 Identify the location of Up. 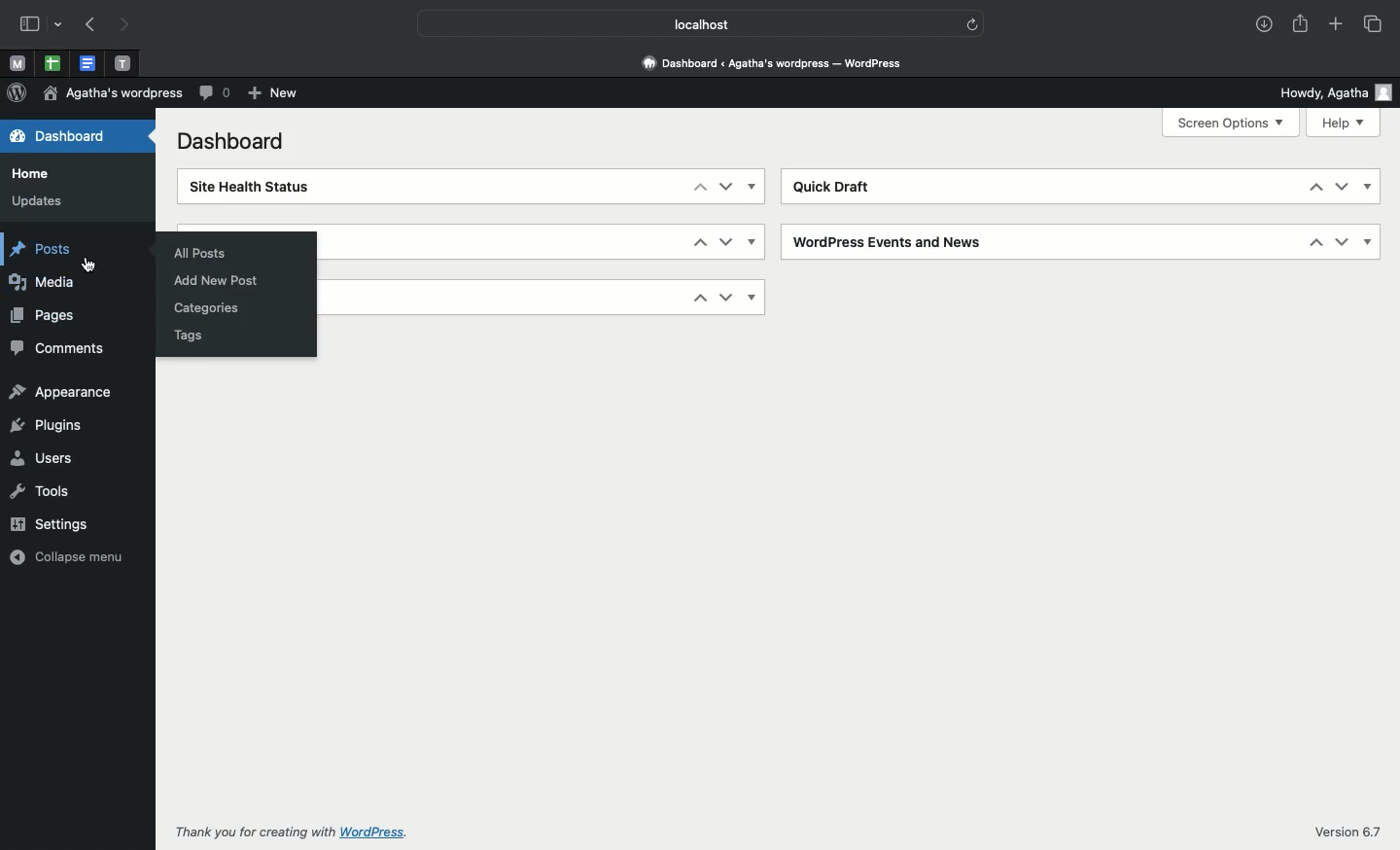
(699, 185).